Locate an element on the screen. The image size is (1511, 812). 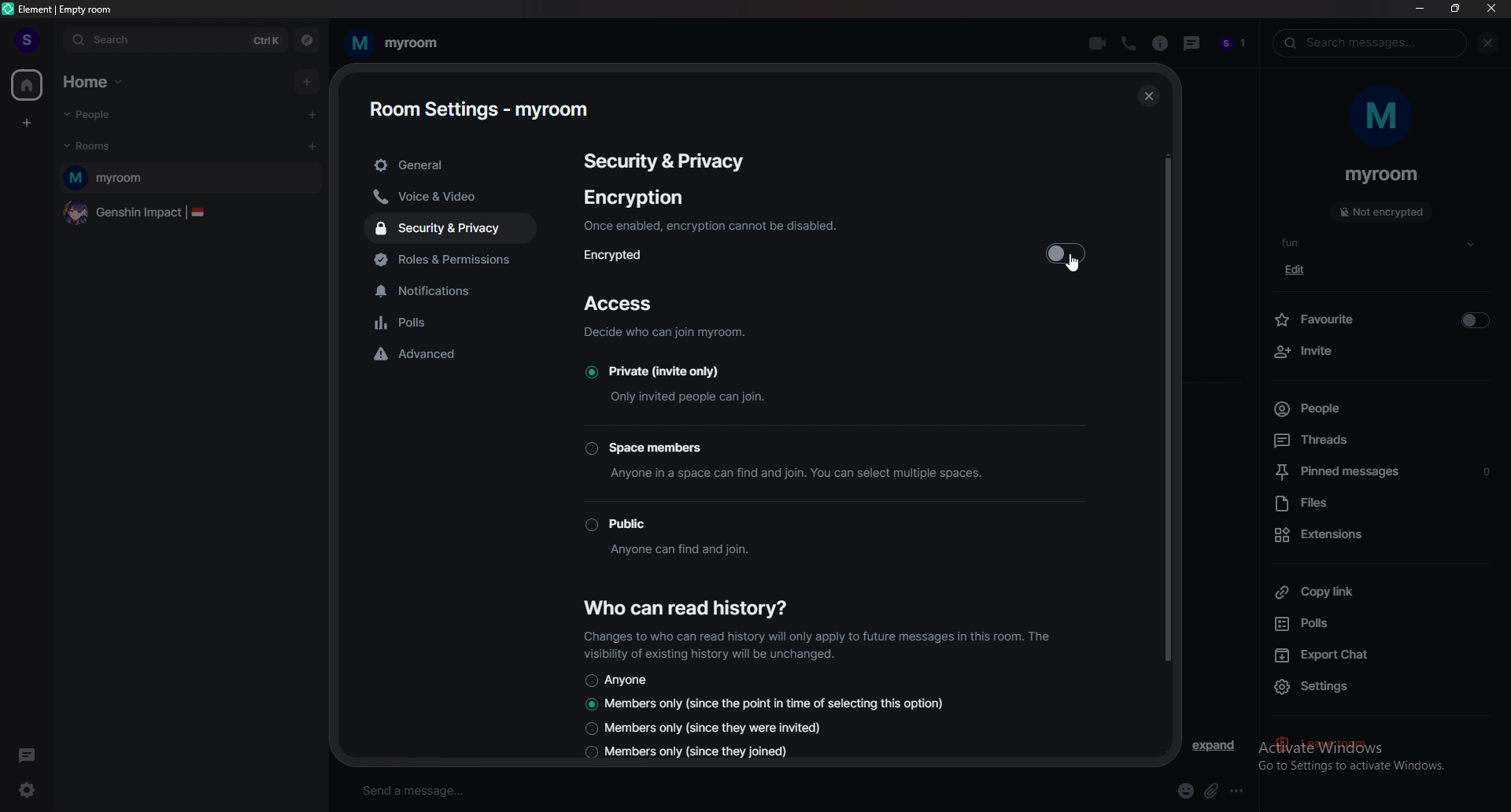
Private (invite only) Only invited people can join. is located at coordinates (674, 382).